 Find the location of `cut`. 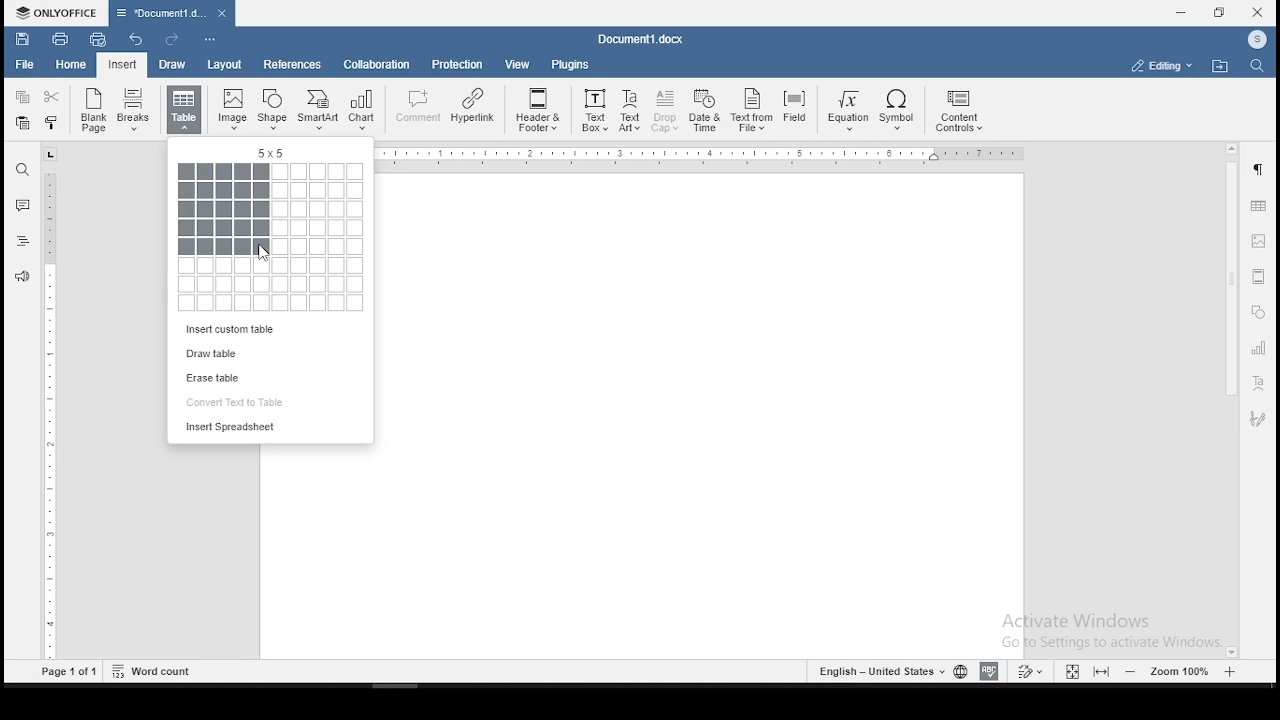

cut is located at coordinates (56, 96).